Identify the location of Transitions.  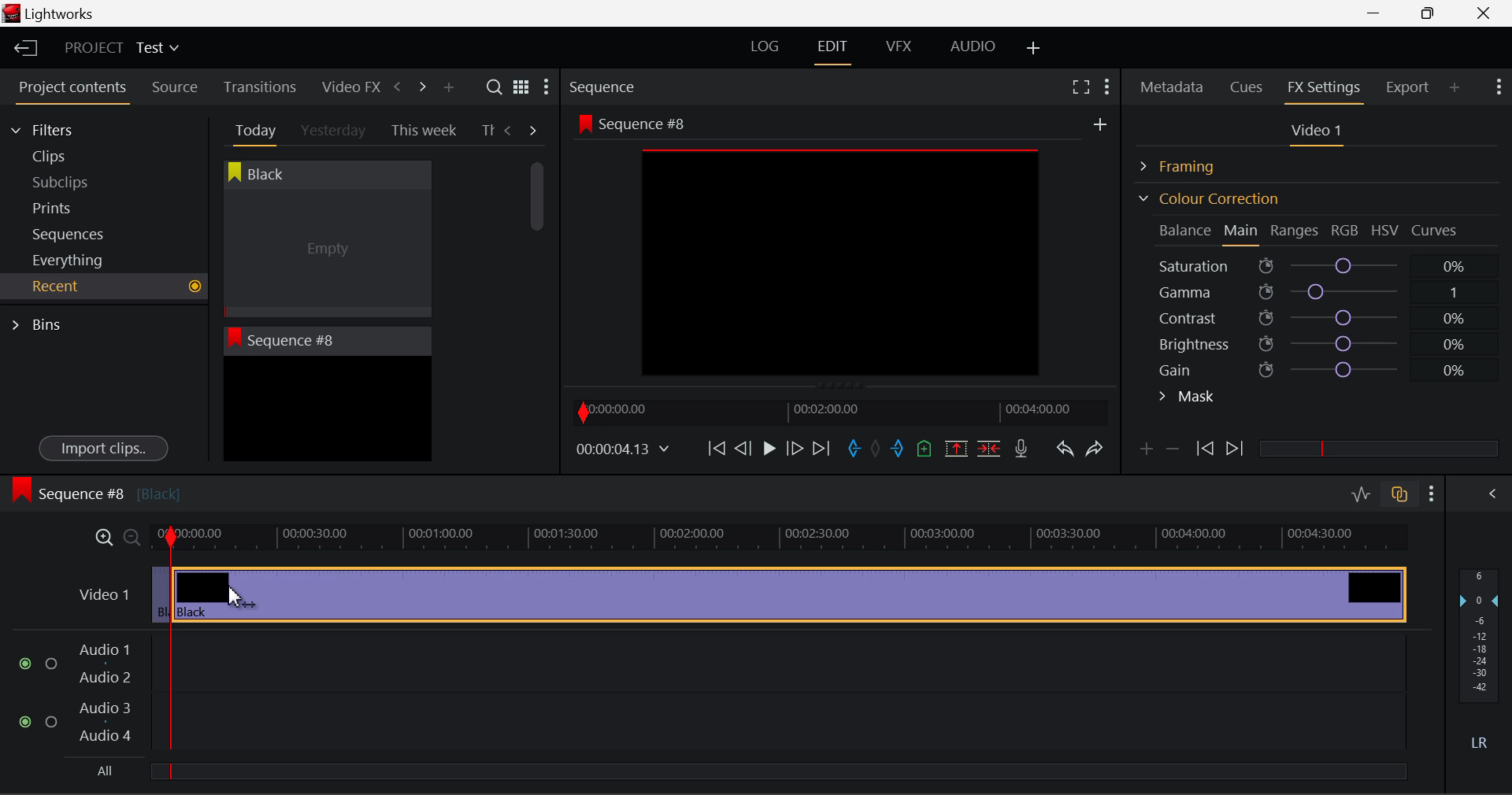
(260, 87).